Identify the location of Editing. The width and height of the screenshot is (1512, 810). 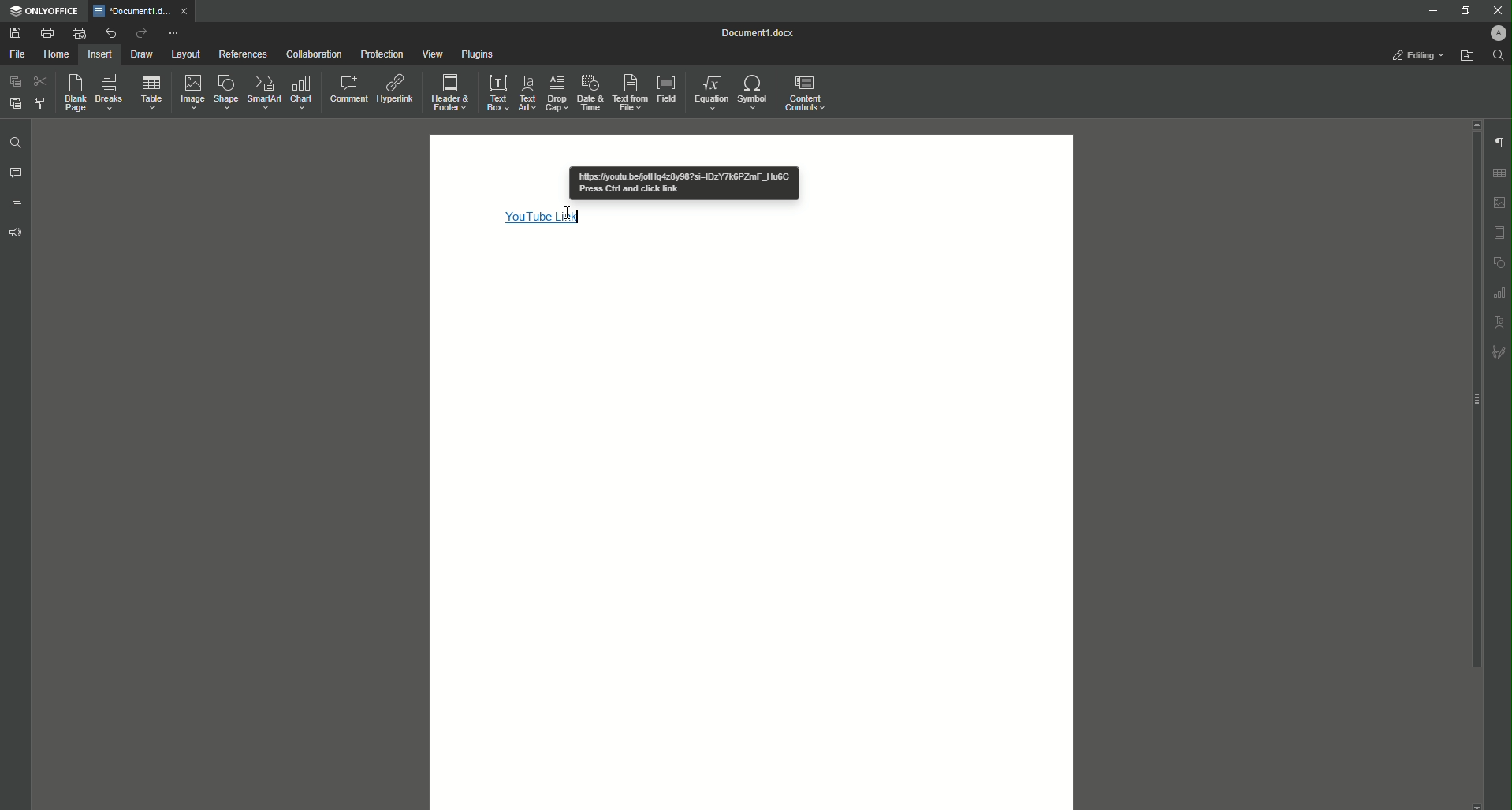
(1413, 54).